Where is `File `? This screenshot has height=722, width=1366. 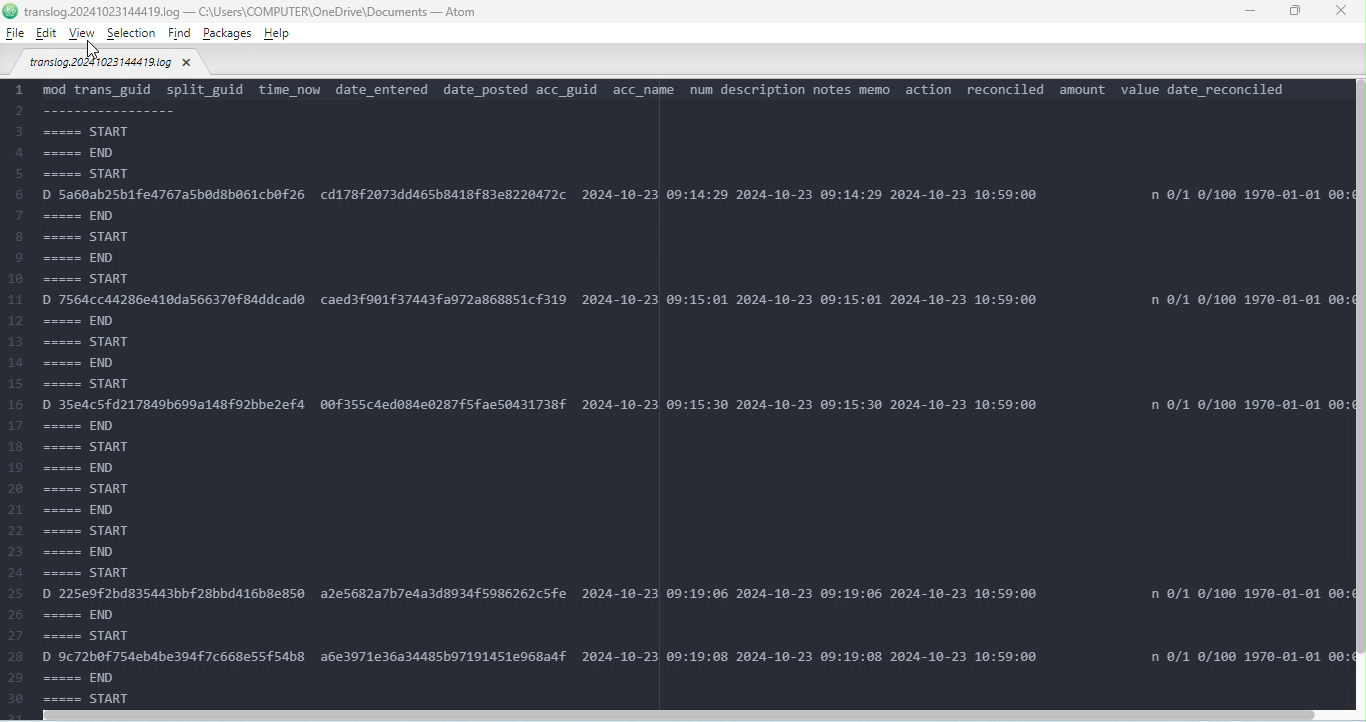
File  is located at coordinates (112, 65).